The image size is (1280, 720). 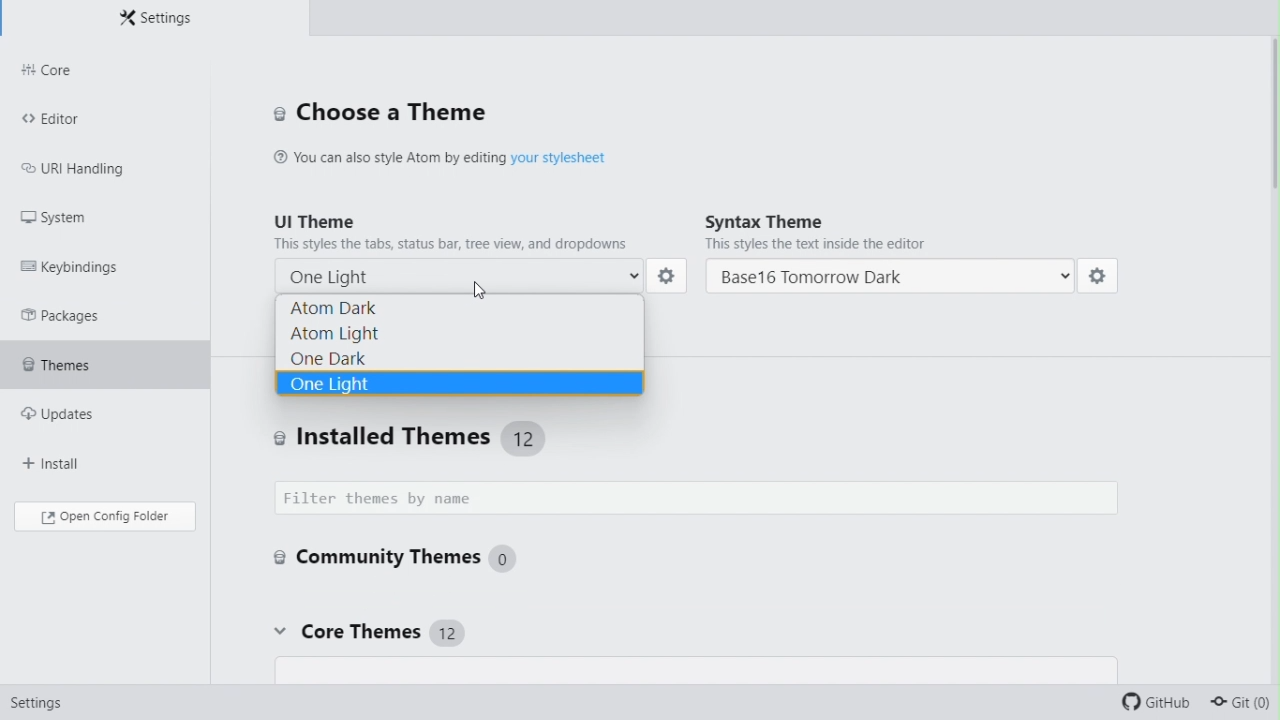 What do you see at coordinates (87, 164) in the screenshot?
I see `URL handling` at bounding box center [87, 164].